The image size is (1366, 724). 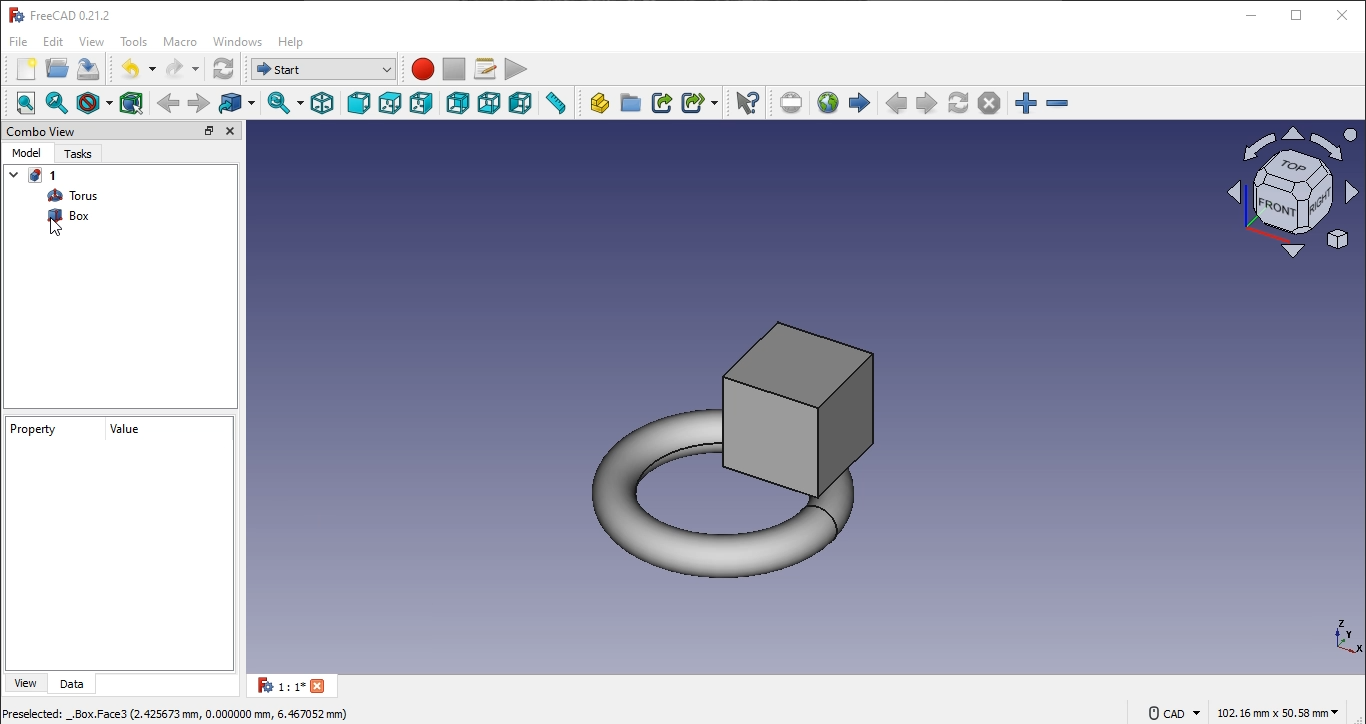 I want to click on © cad, so click(x=1170, y=711).